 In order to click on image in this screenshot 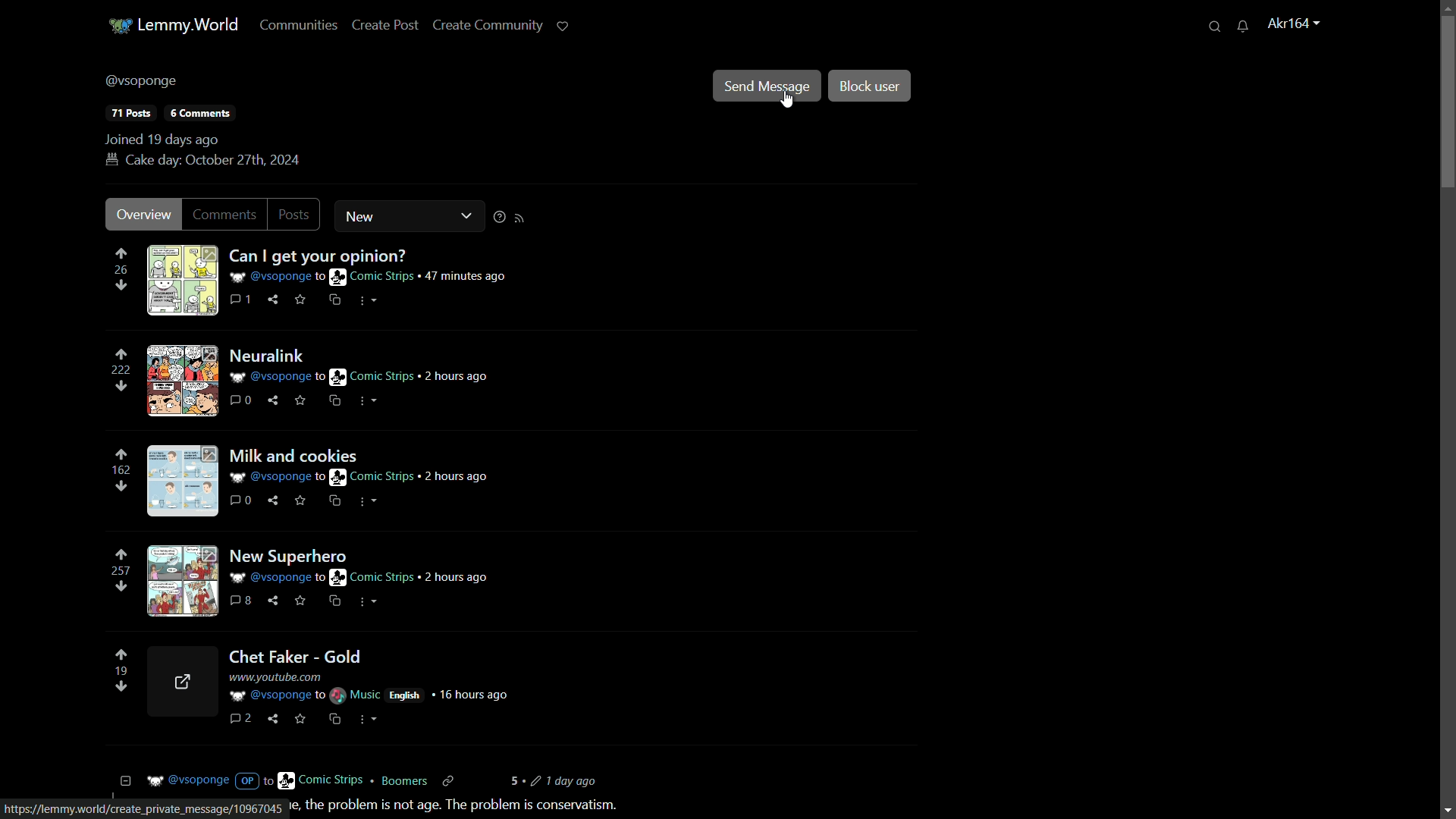, I will do `click(184, 579)`.